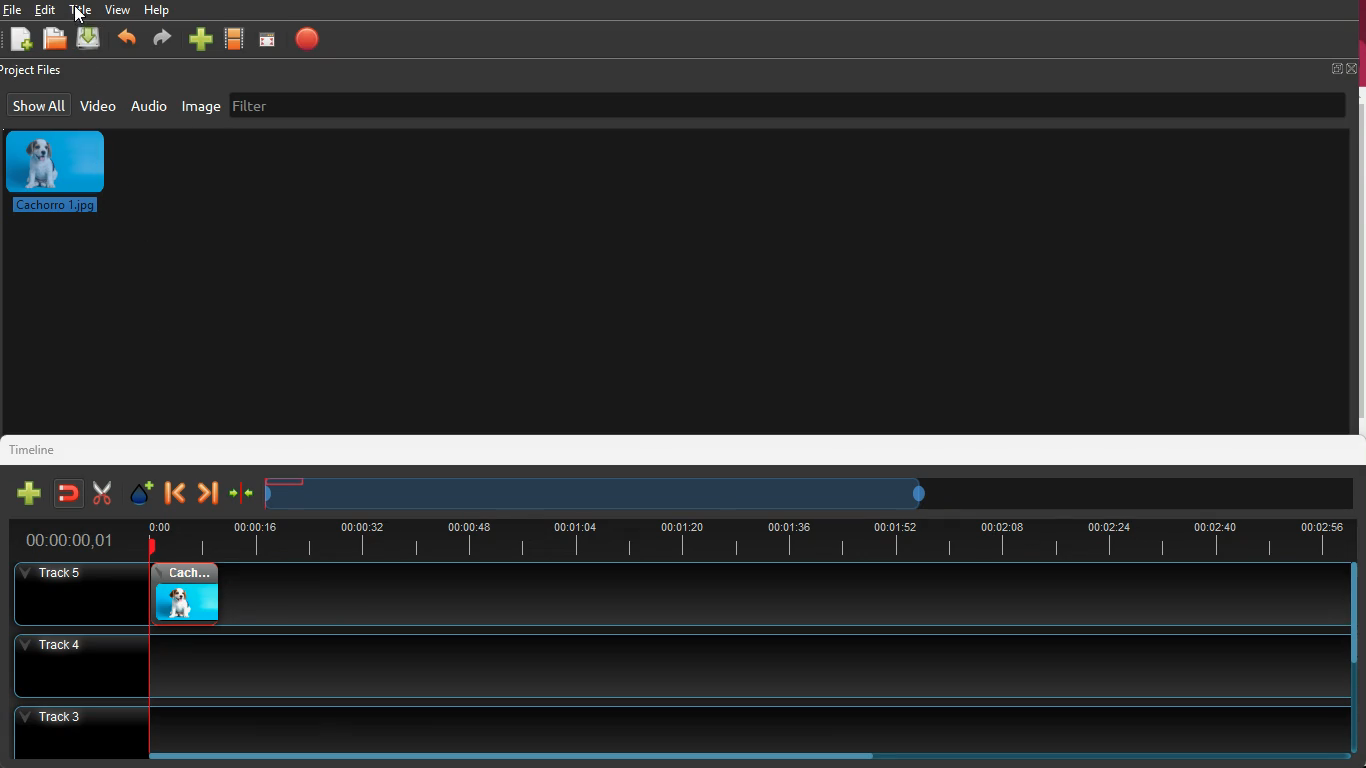  What do you see at coordinates (747, 537) in the screenshot?
I see `time` at bounding box center [747, 537].